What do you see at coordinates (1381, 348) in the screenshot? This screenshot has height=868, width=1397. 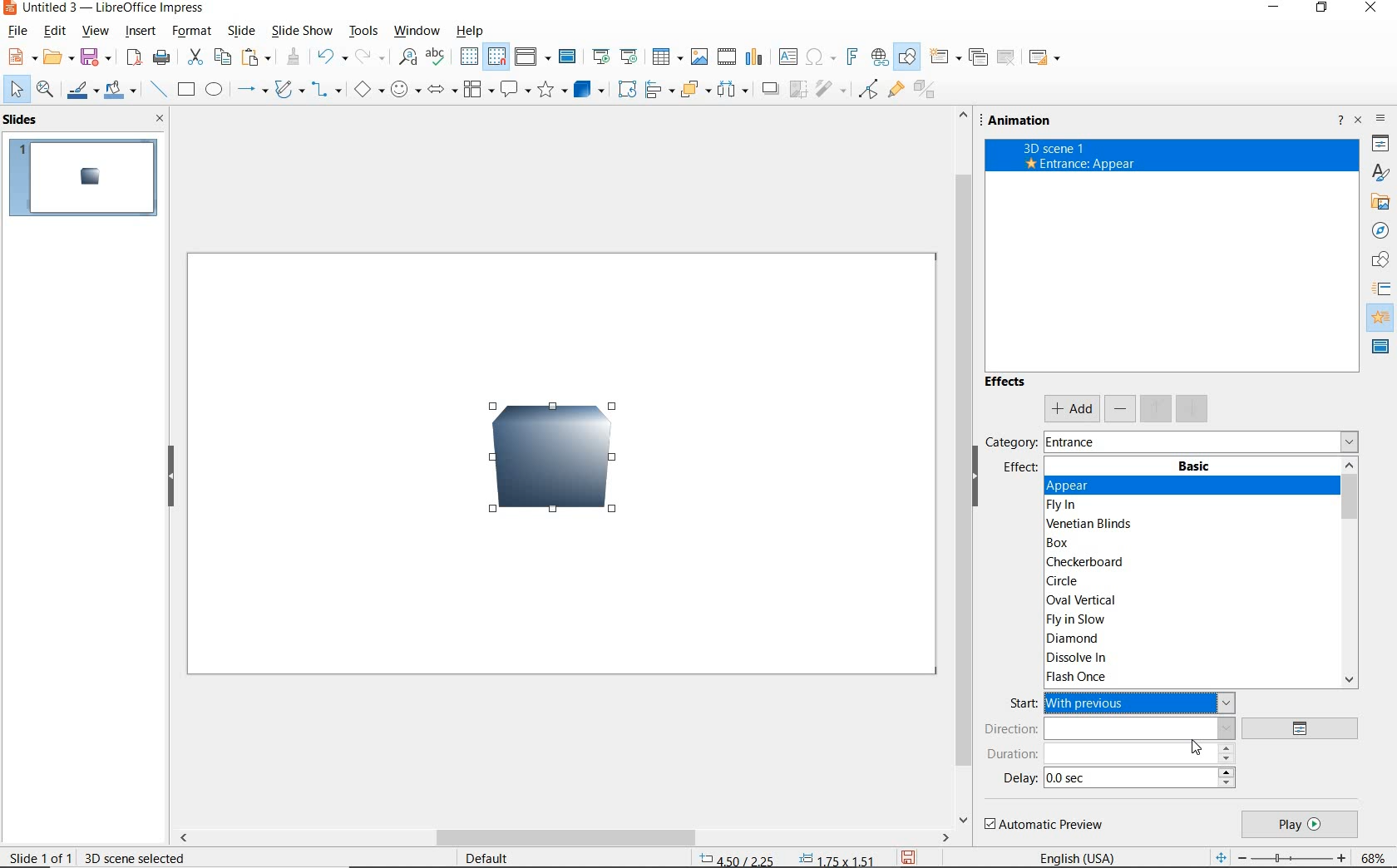 I see `master slides` at bounding box center [1381, 348].